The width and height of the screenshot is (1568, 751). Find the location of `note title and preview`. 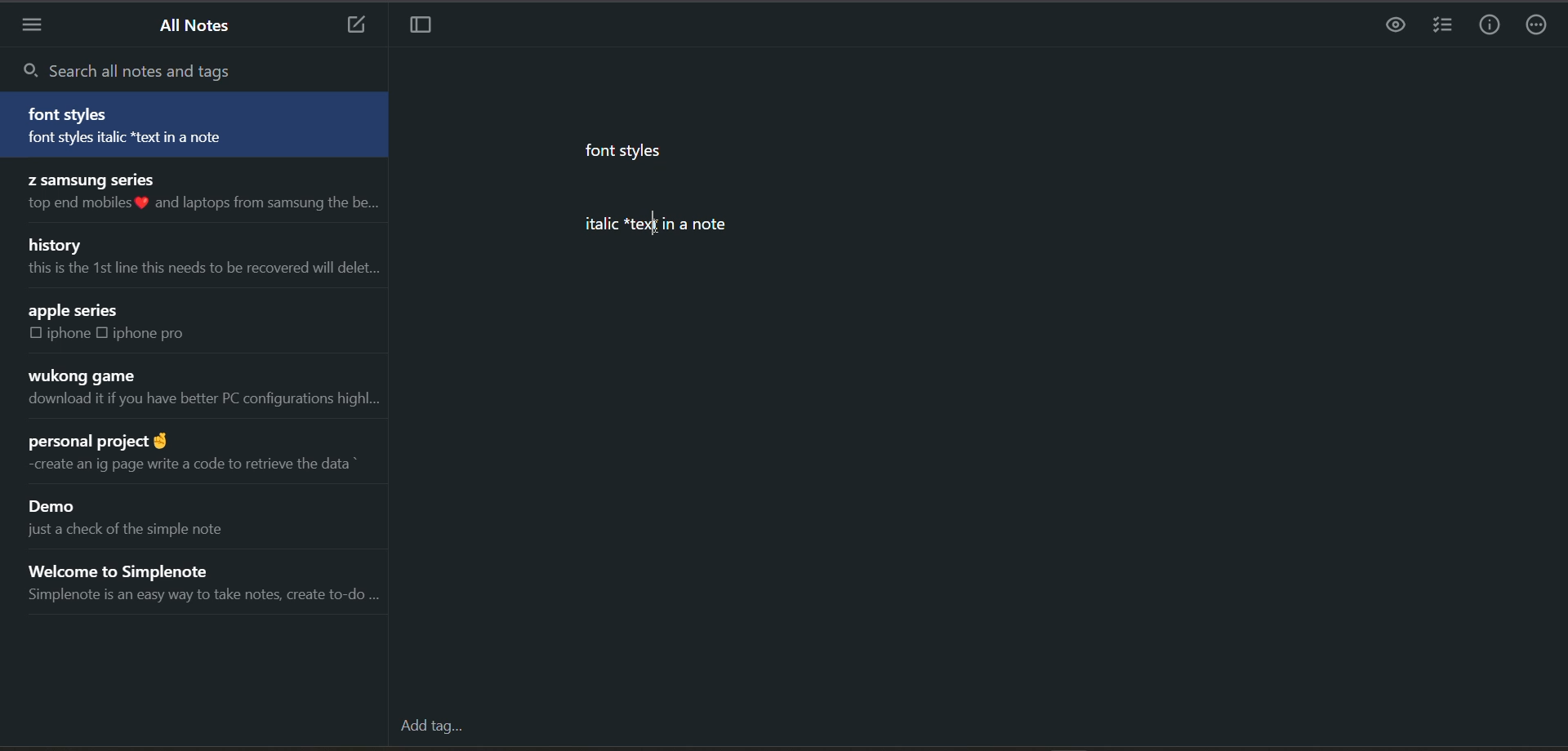

note title and preview is located at coordinates (136, 327).